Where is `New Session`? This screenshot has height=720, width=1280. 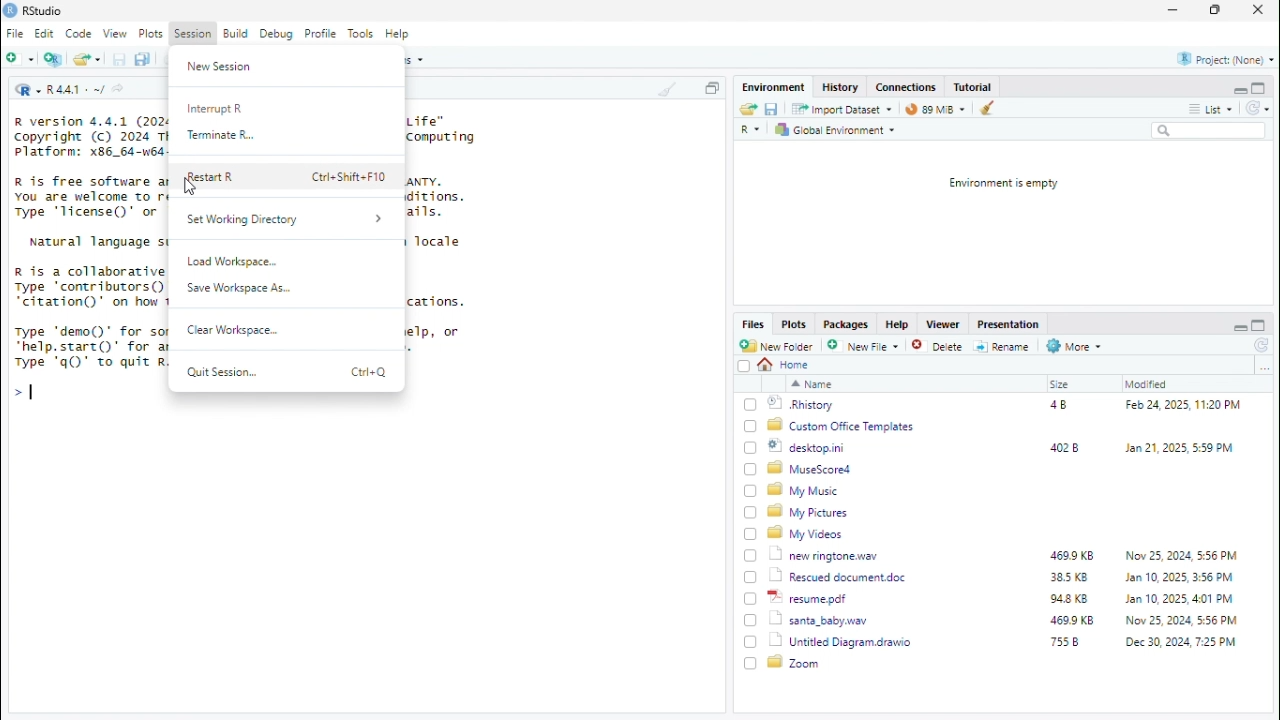
New Session is located at coordinates (222, 67).